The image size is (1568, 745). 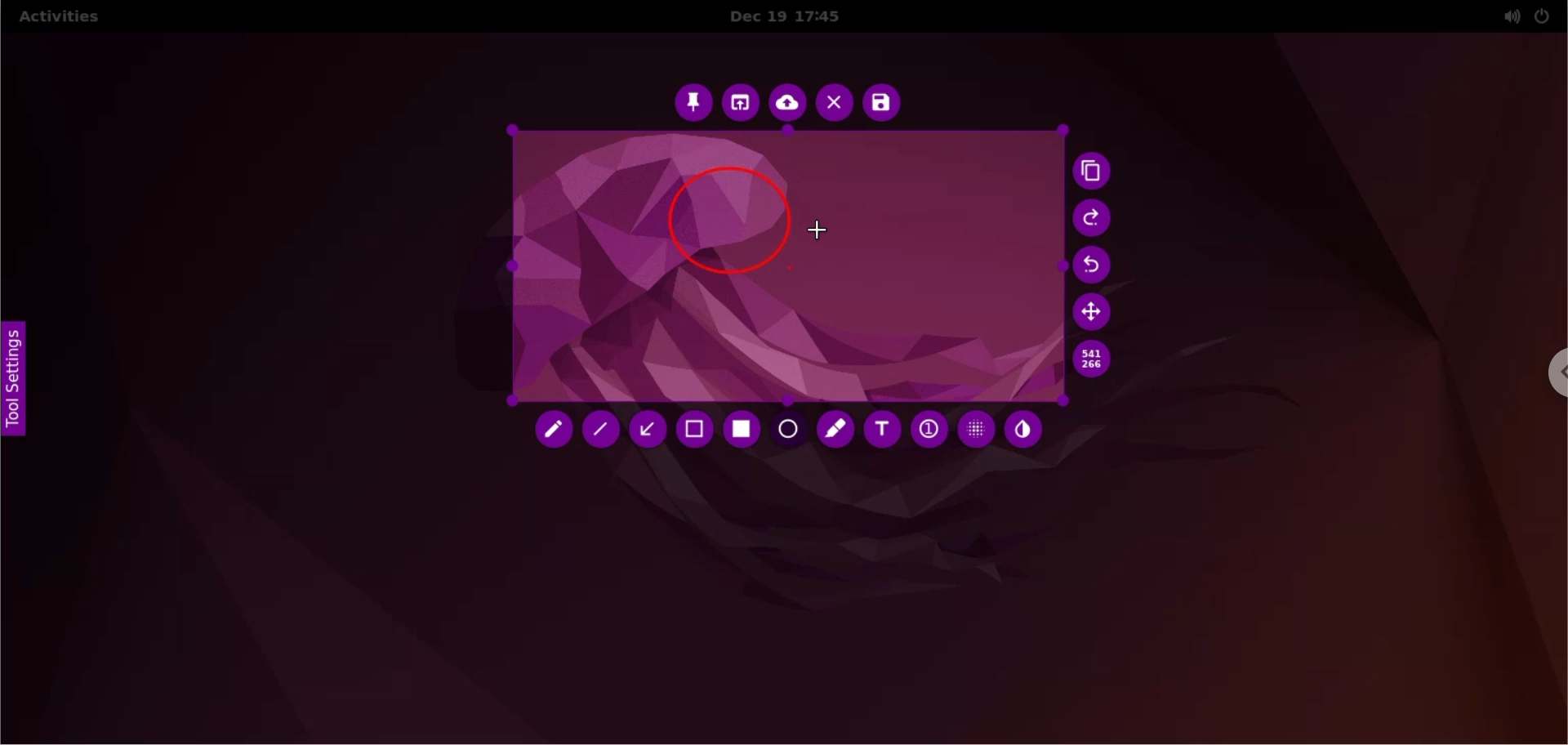 I want to click on auto increment , so click(x=927, y=428).